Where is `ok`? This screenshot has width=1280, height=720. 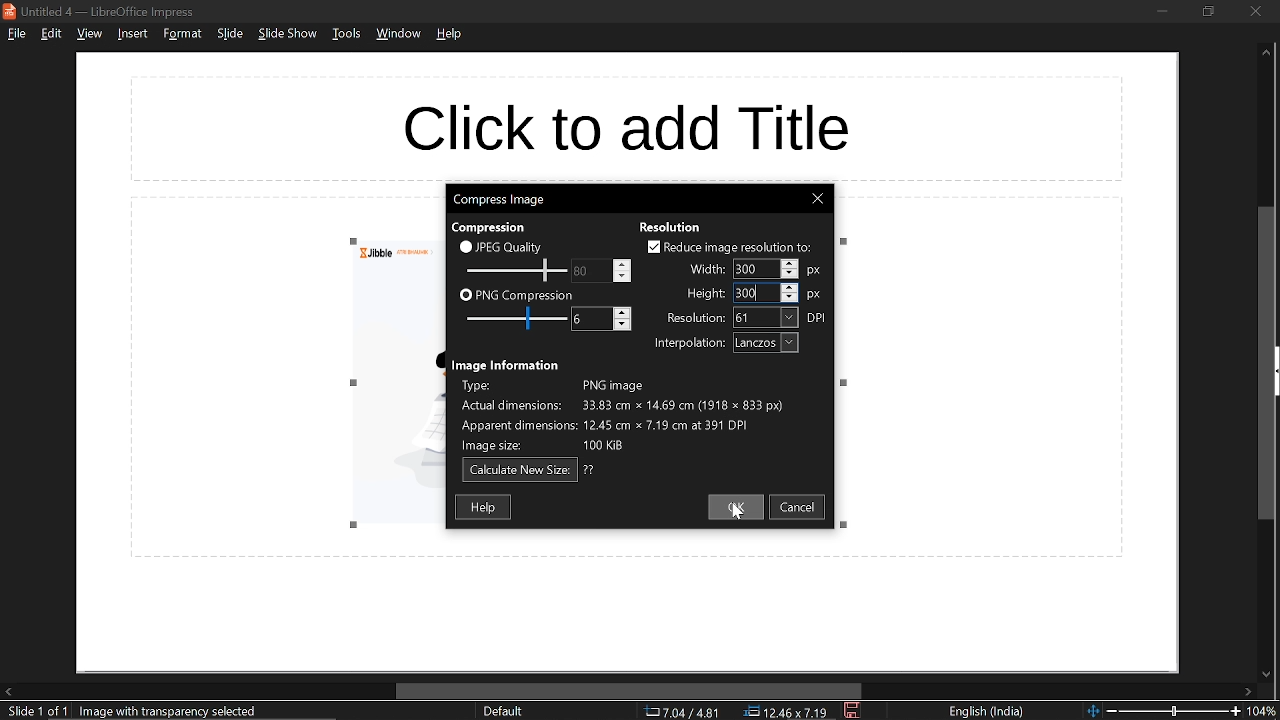 ok is located at coordinates (738, 508).